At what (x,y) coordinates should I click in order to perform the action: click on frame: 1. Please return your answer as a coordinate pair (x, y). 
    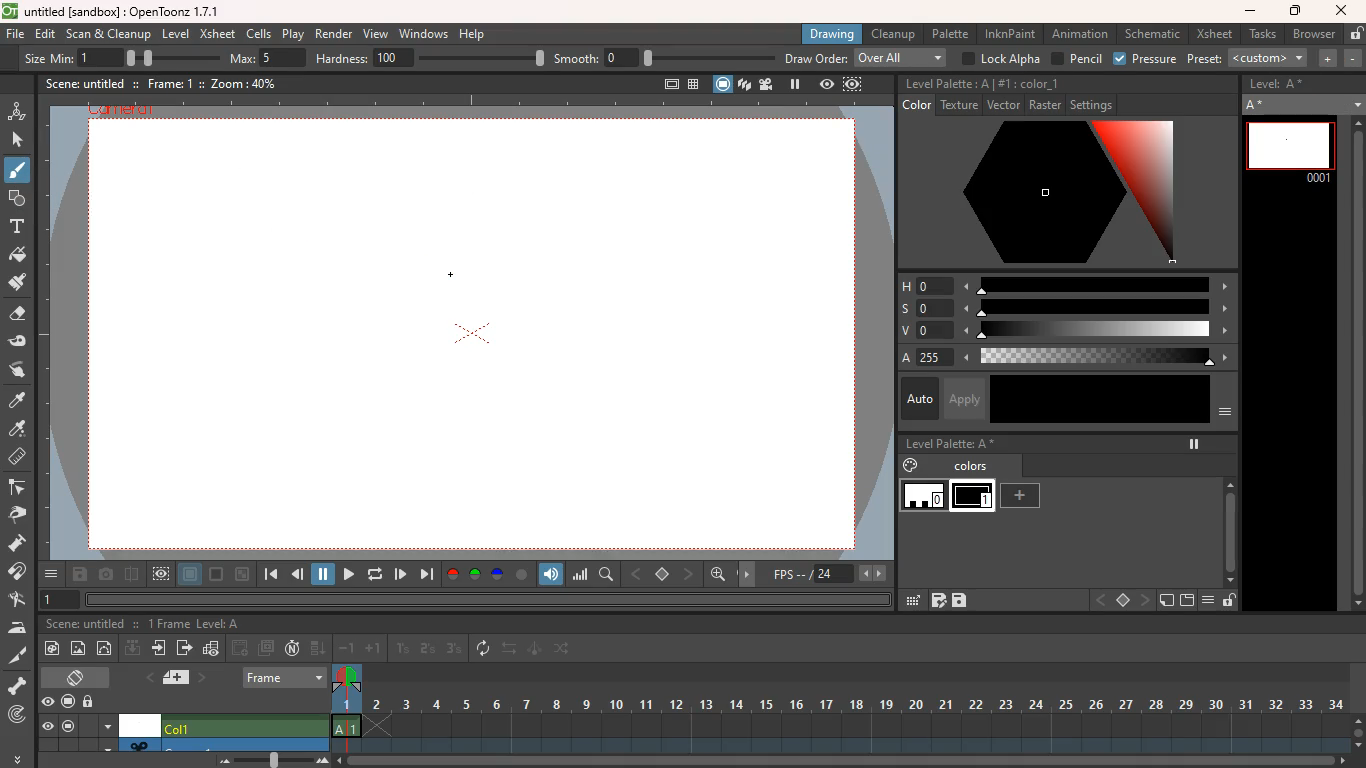
    Looking at the image, I should click on (168, 83).